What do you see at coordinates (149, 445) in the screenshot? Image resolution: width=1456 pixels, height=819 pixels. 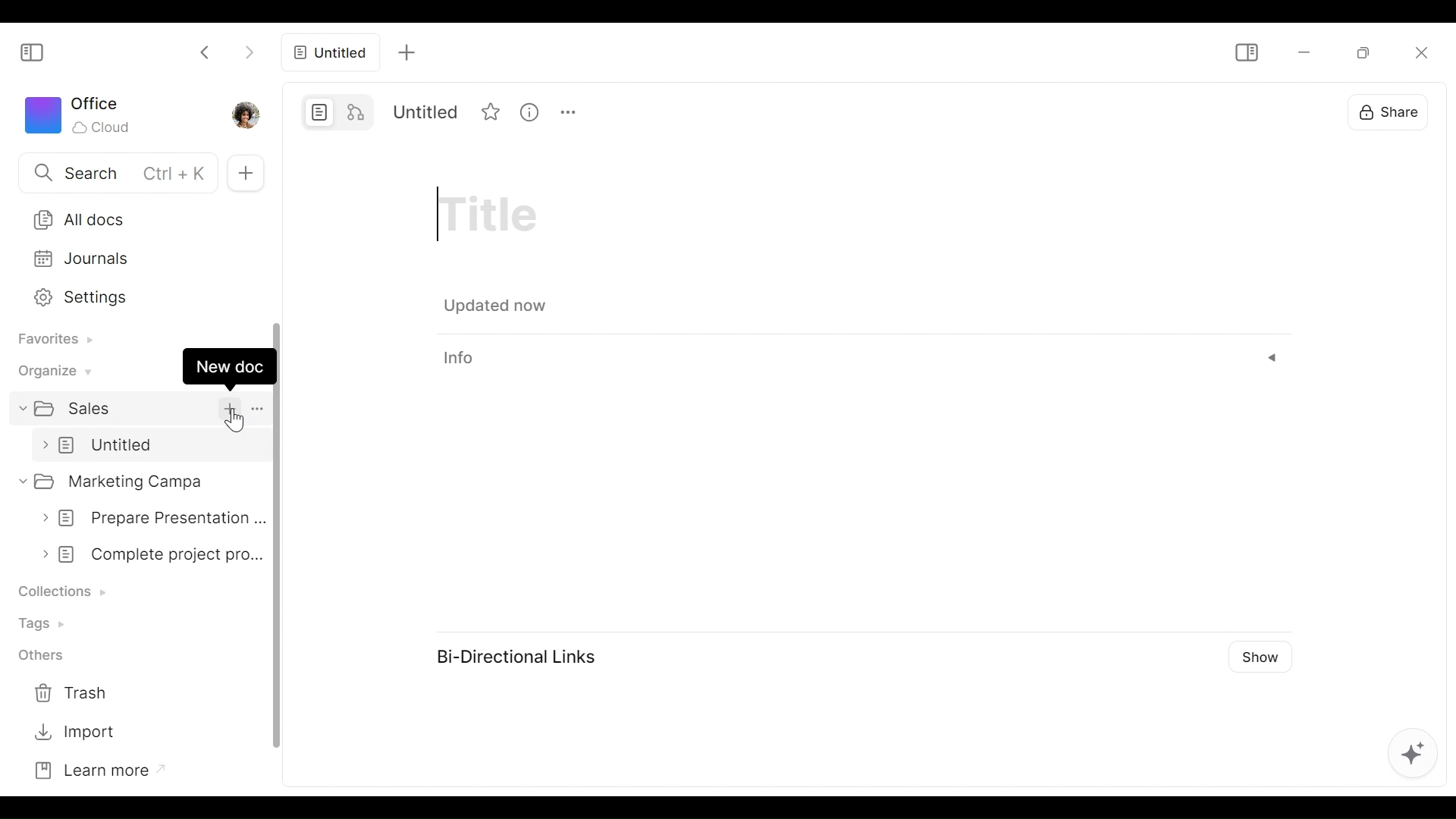 I see `untitled` at bounding box center [149, 445].